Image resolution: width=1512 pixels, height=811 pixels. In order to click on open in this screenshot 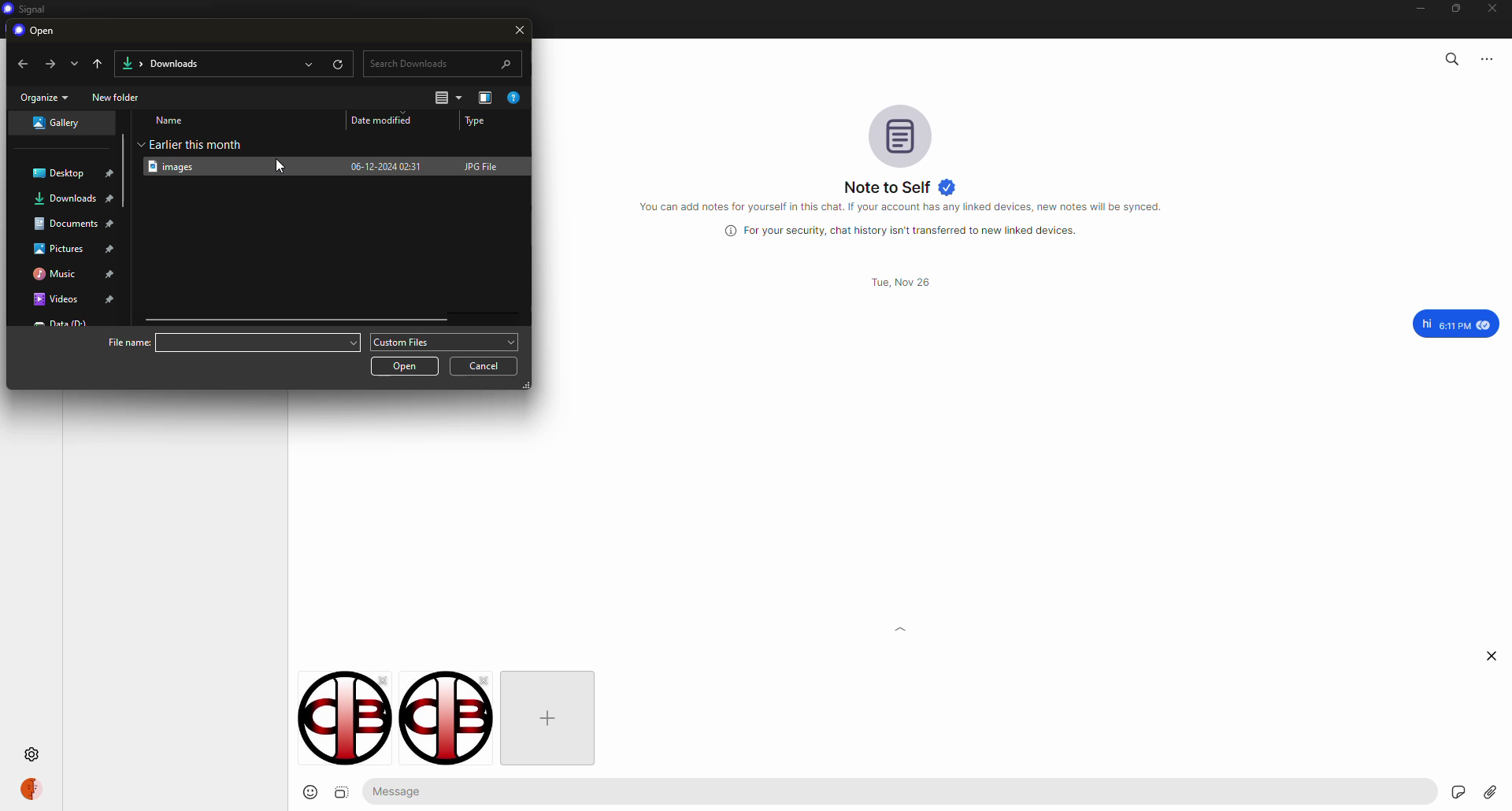, I will do `click(40, 31)`.